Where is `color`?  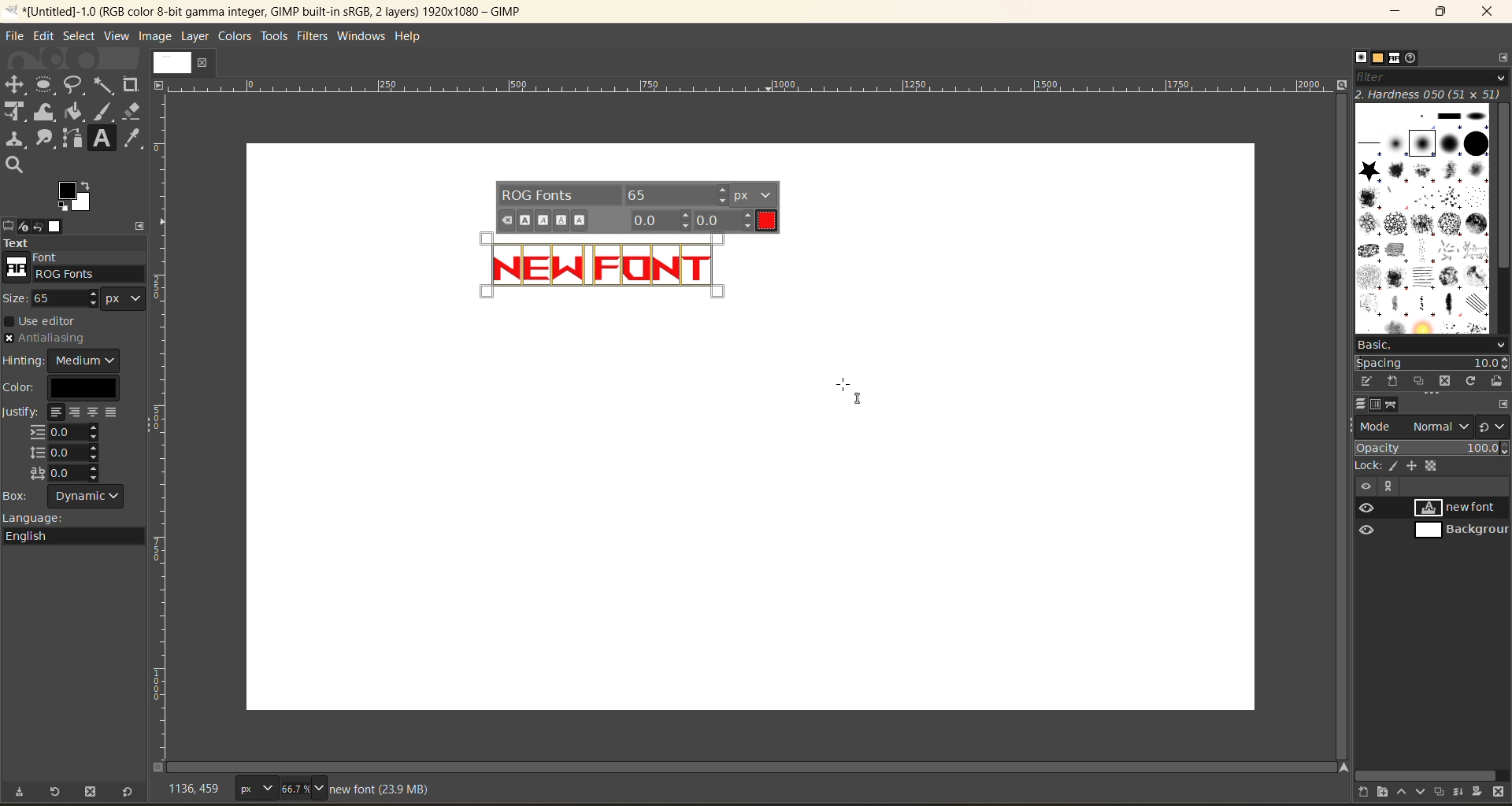 color is located at coordinates (69, 387).